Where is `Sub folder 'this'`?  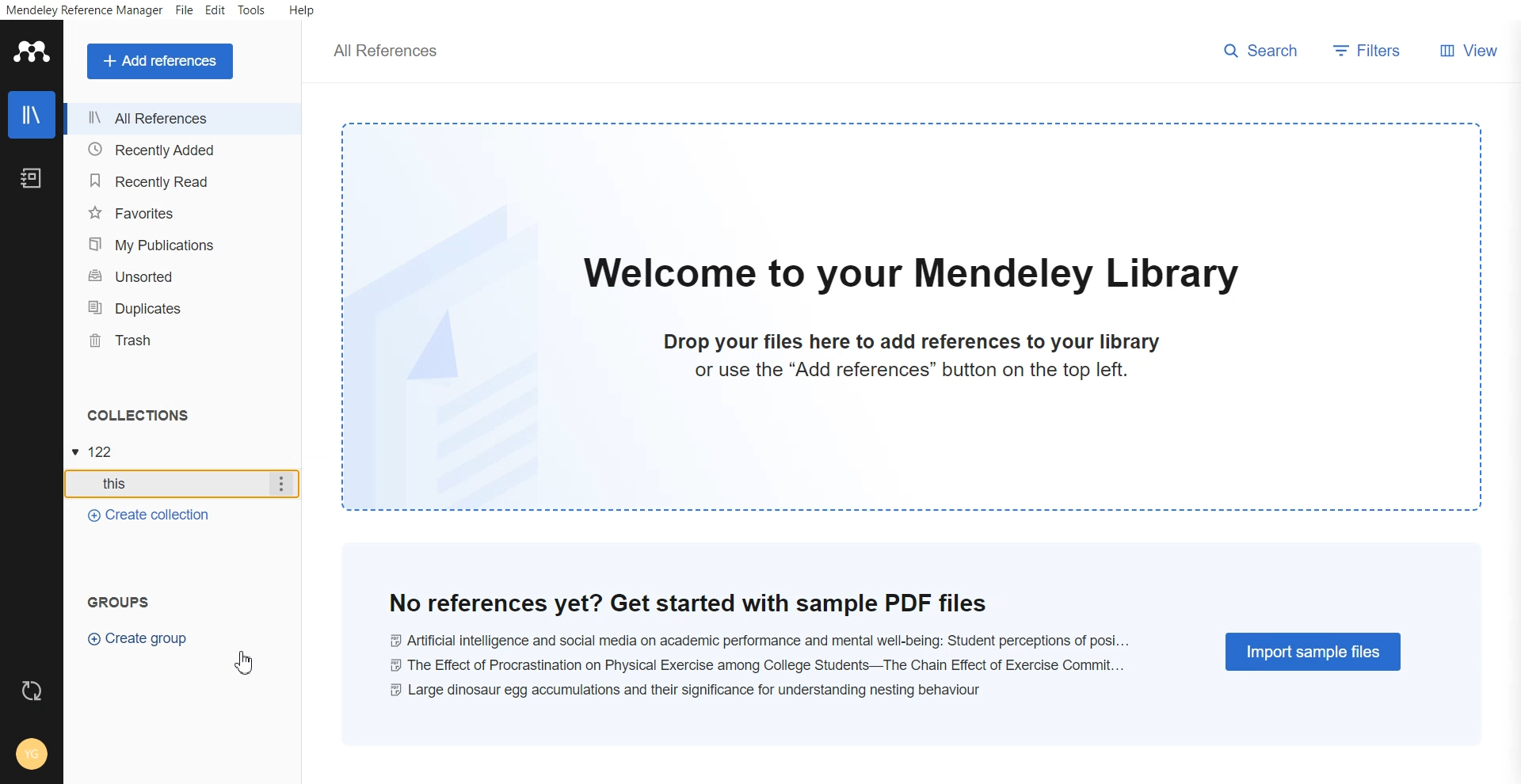
Sub folder 'this' is located at coordinates (164, 485).